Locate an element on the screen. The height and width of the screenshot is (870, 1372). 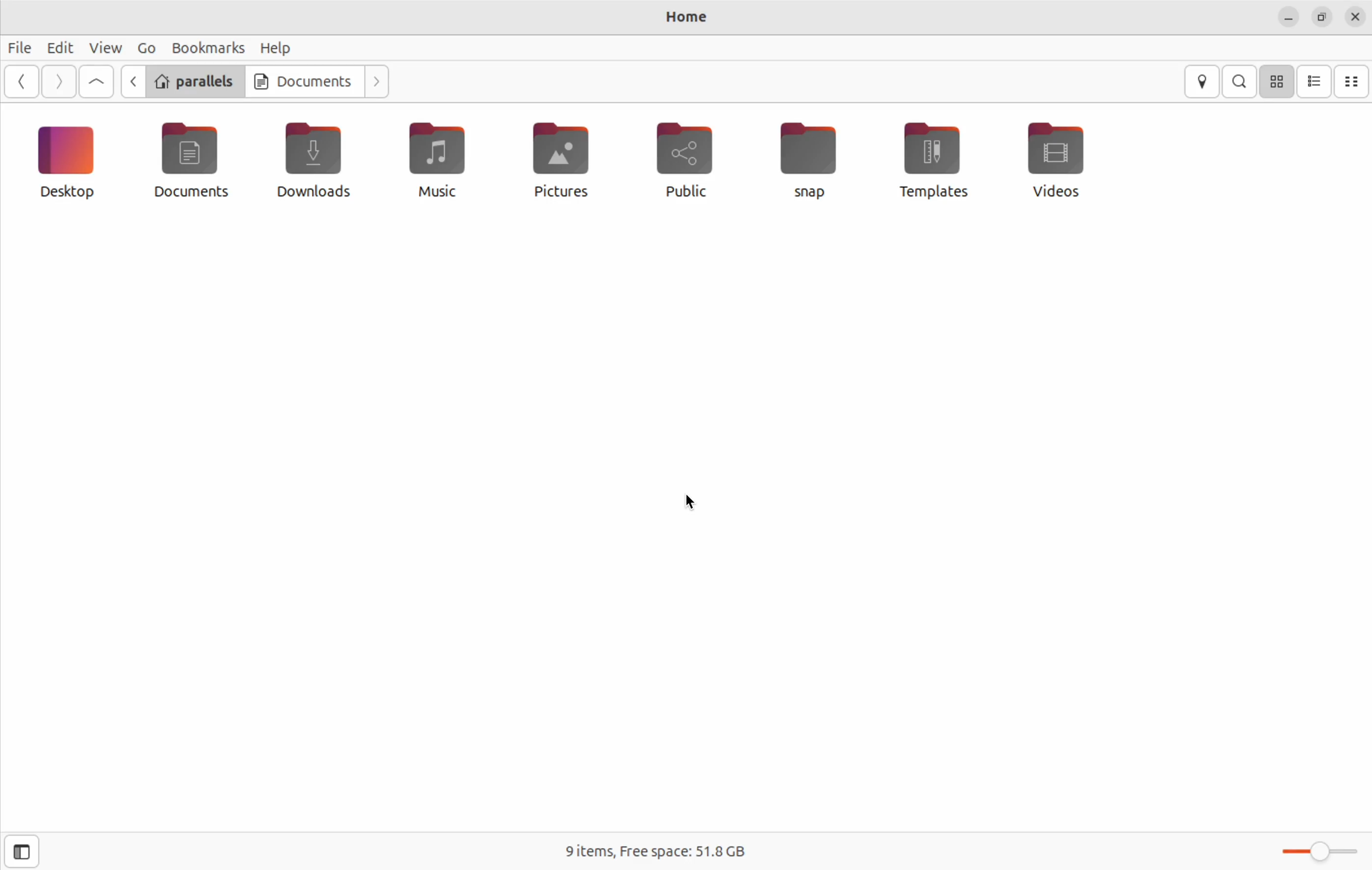
forward is located at coordinates (379, 82).